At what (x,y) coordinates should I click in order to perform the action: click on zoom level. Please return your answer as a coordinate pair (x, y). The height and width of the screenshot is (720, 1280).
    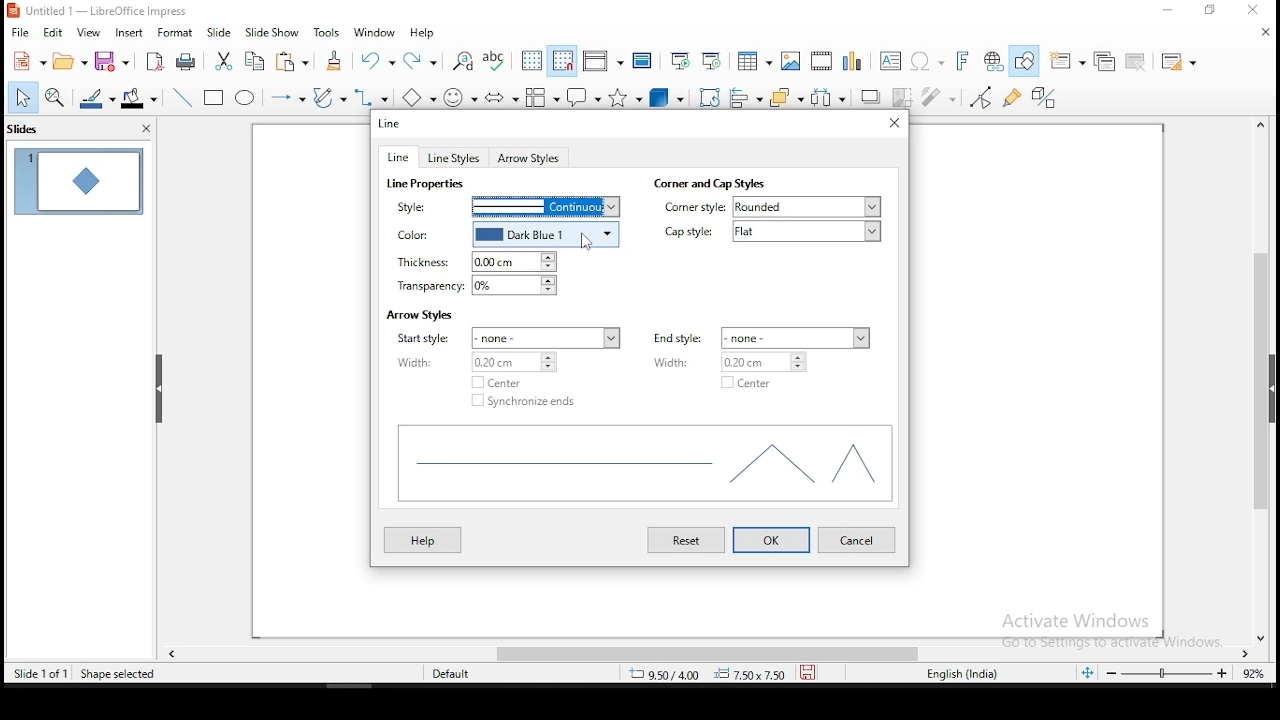
    Looking at the image, I should click on (1167, 673).